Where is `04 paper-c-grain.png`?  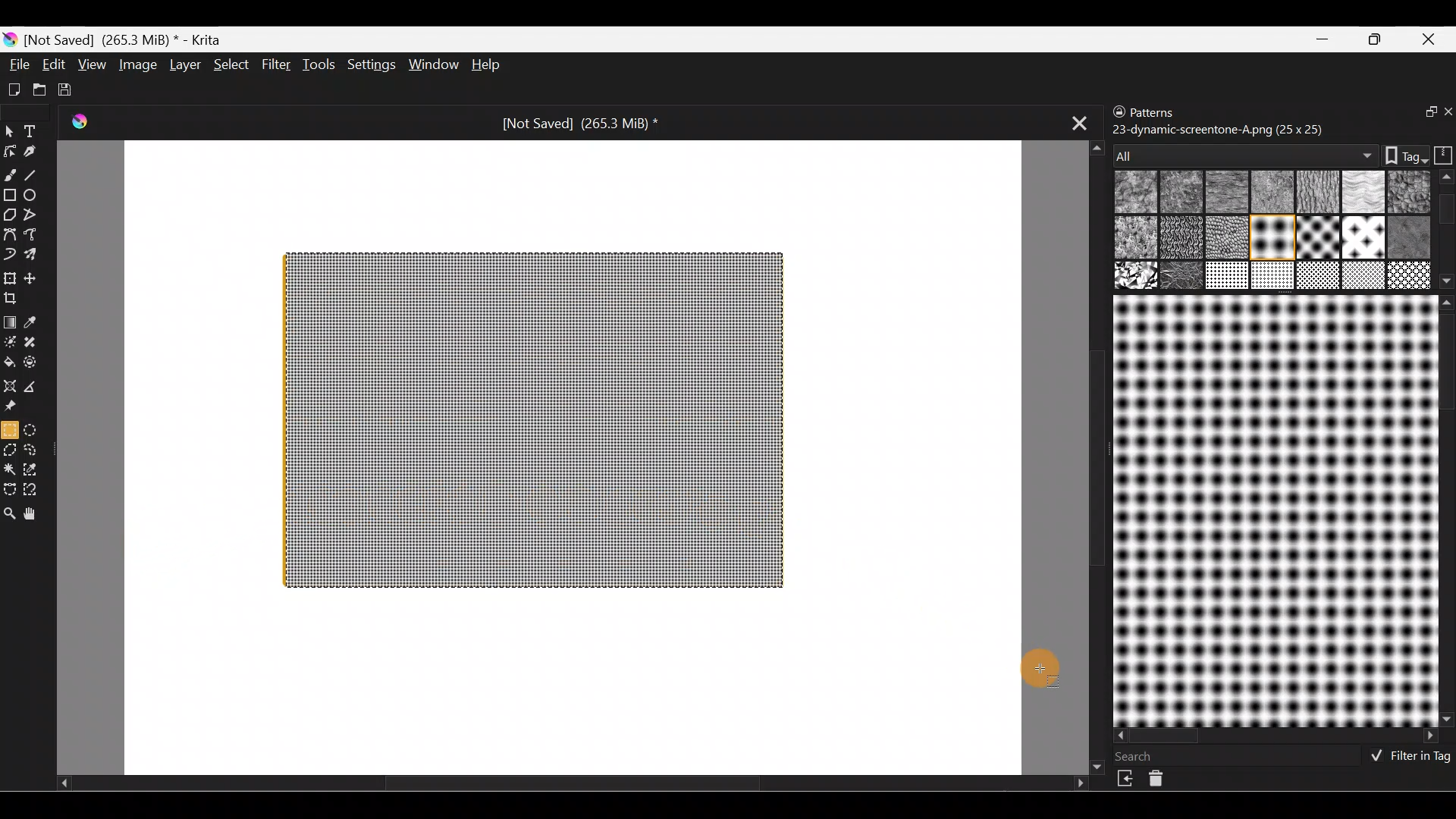 04 paper-c-grain.png is located at coordinates (1315, 193).